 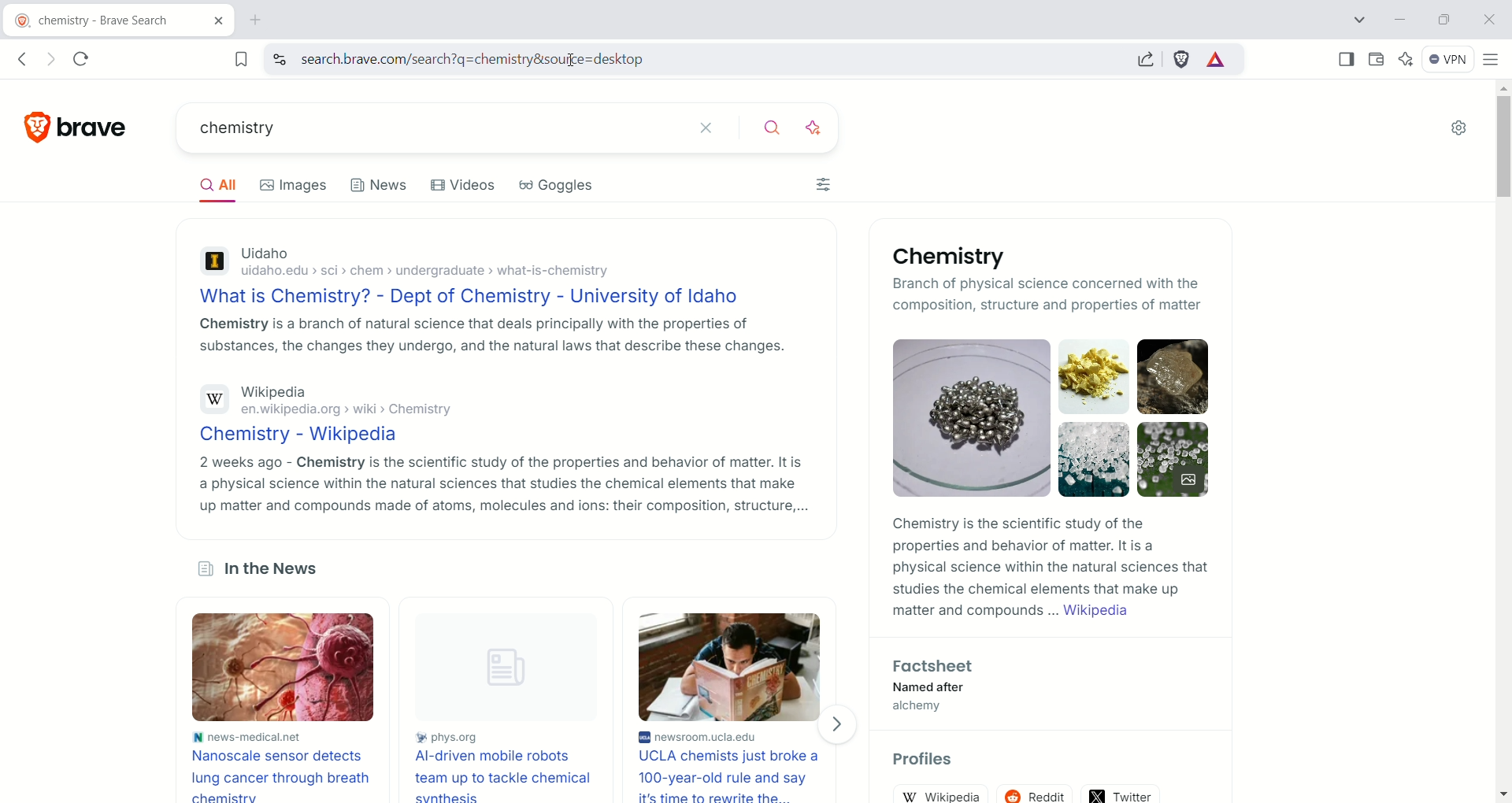 I want to click on Brave schields, so click(x=1183, y=61).